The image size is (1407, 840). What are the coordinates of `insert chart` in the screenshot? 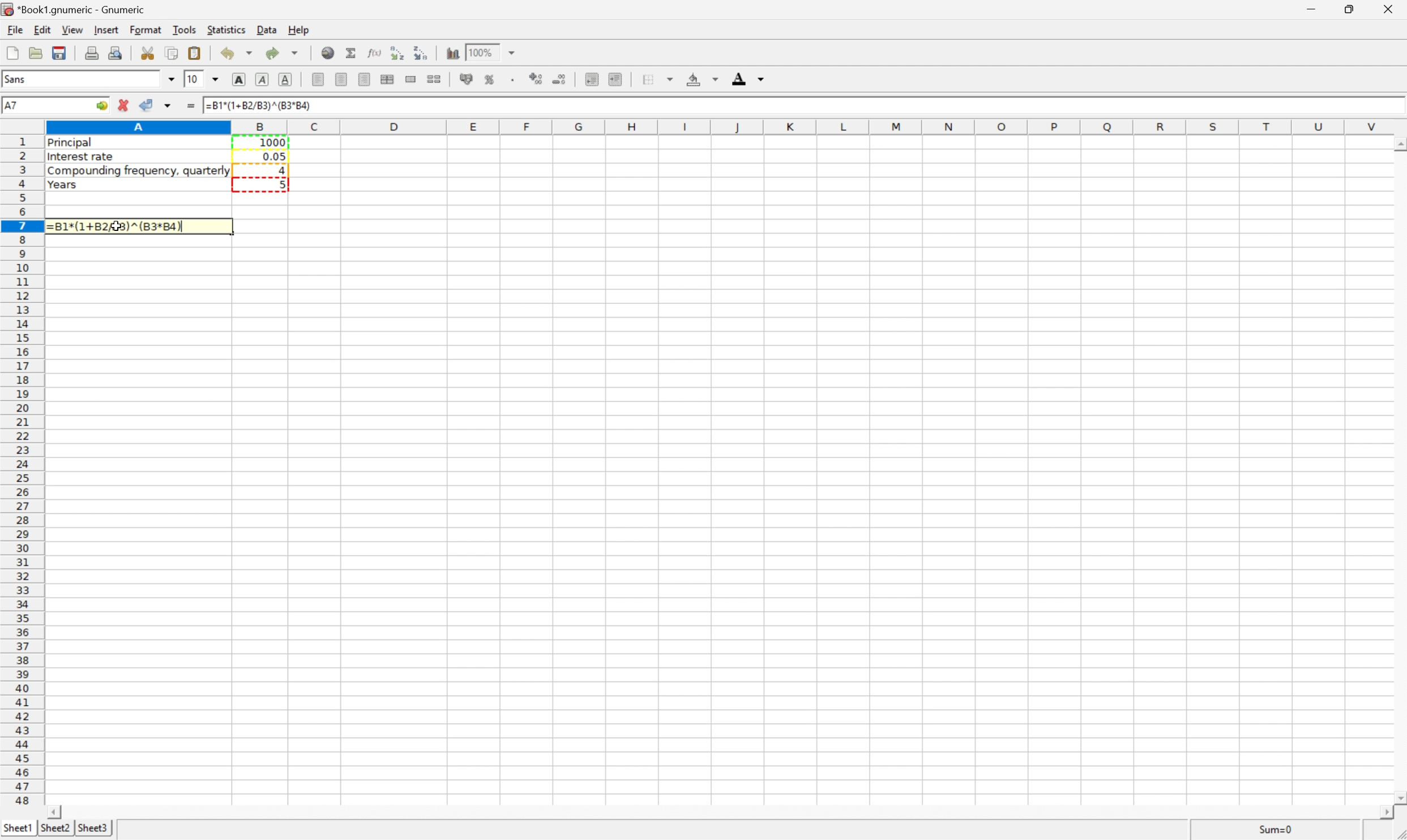 It's located at (451, 52).